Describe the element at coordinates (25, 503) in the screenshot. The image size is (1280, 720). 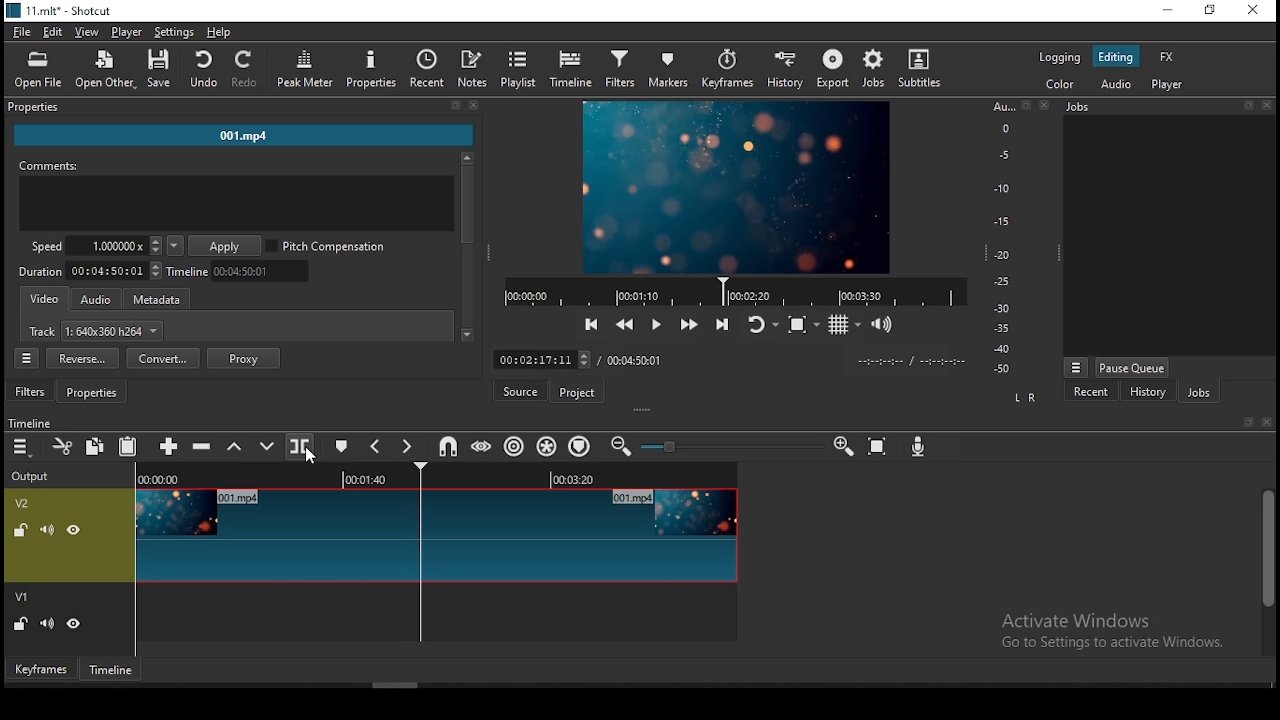
I see `V2` at that location.